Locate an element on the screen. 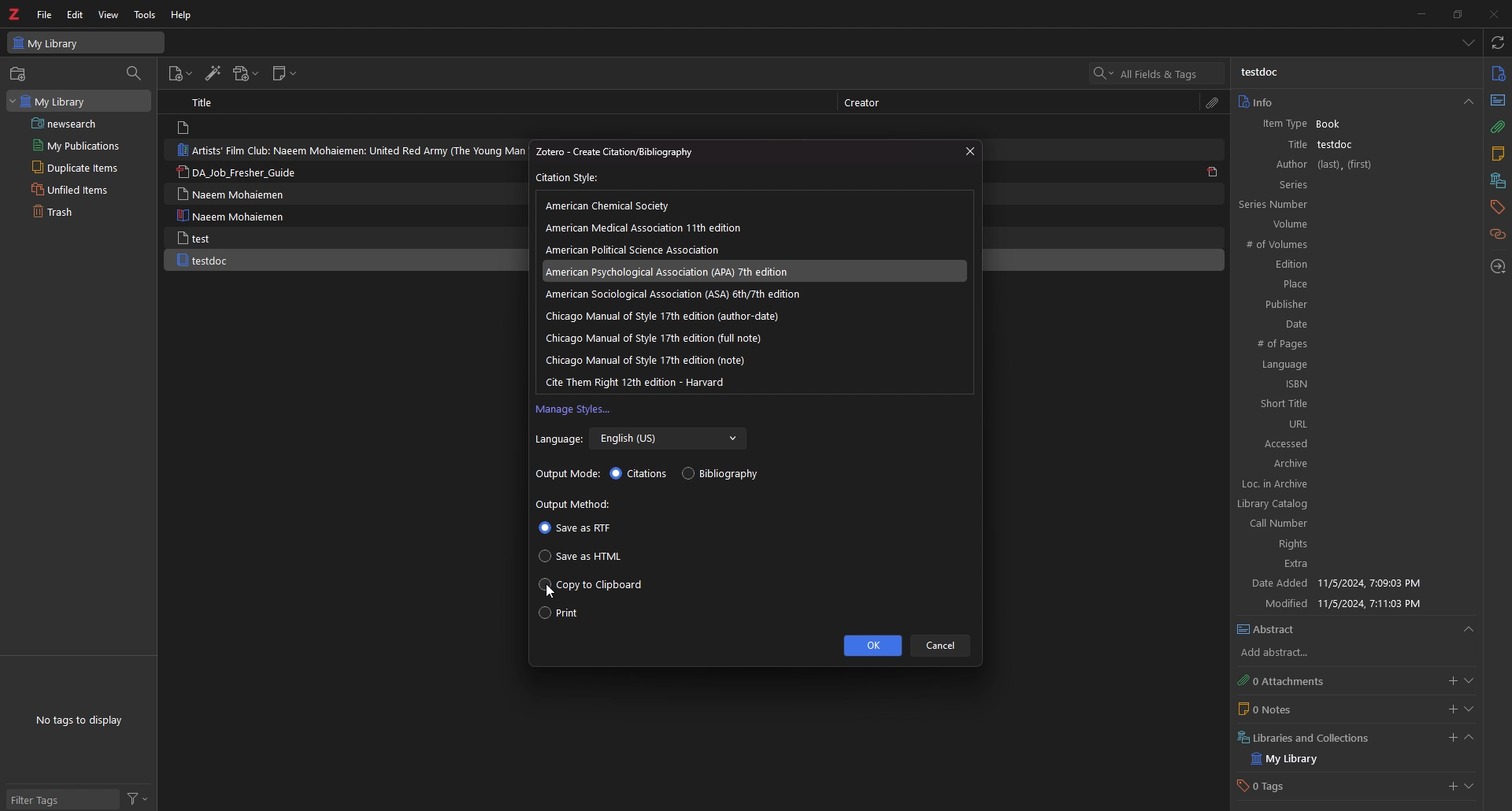  edit is located at coordinates (76, 14).